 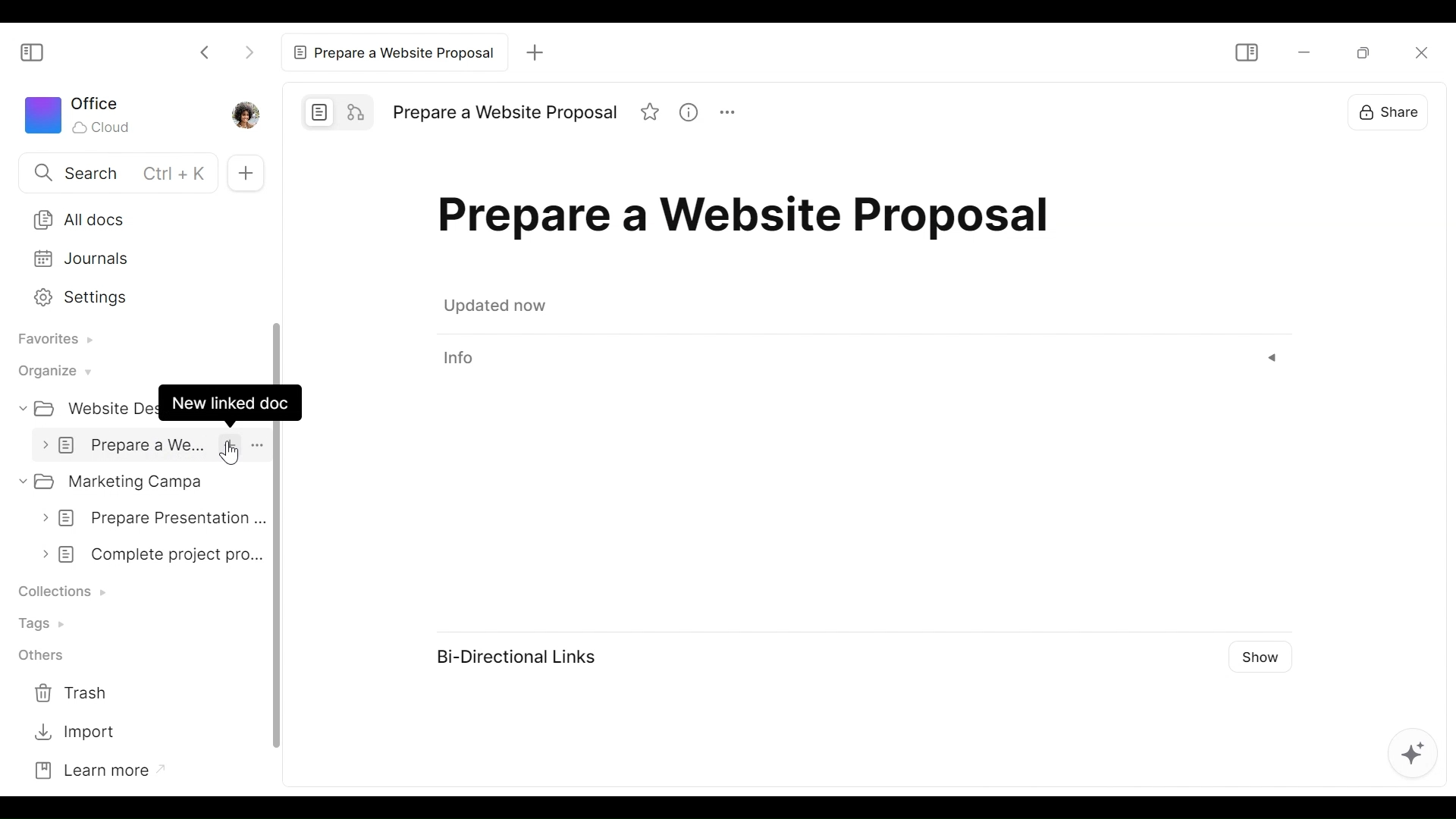 What do you see at coordinates (71, 690) in the screenshot?
I see `Trash` at bounding box center [71, 690].